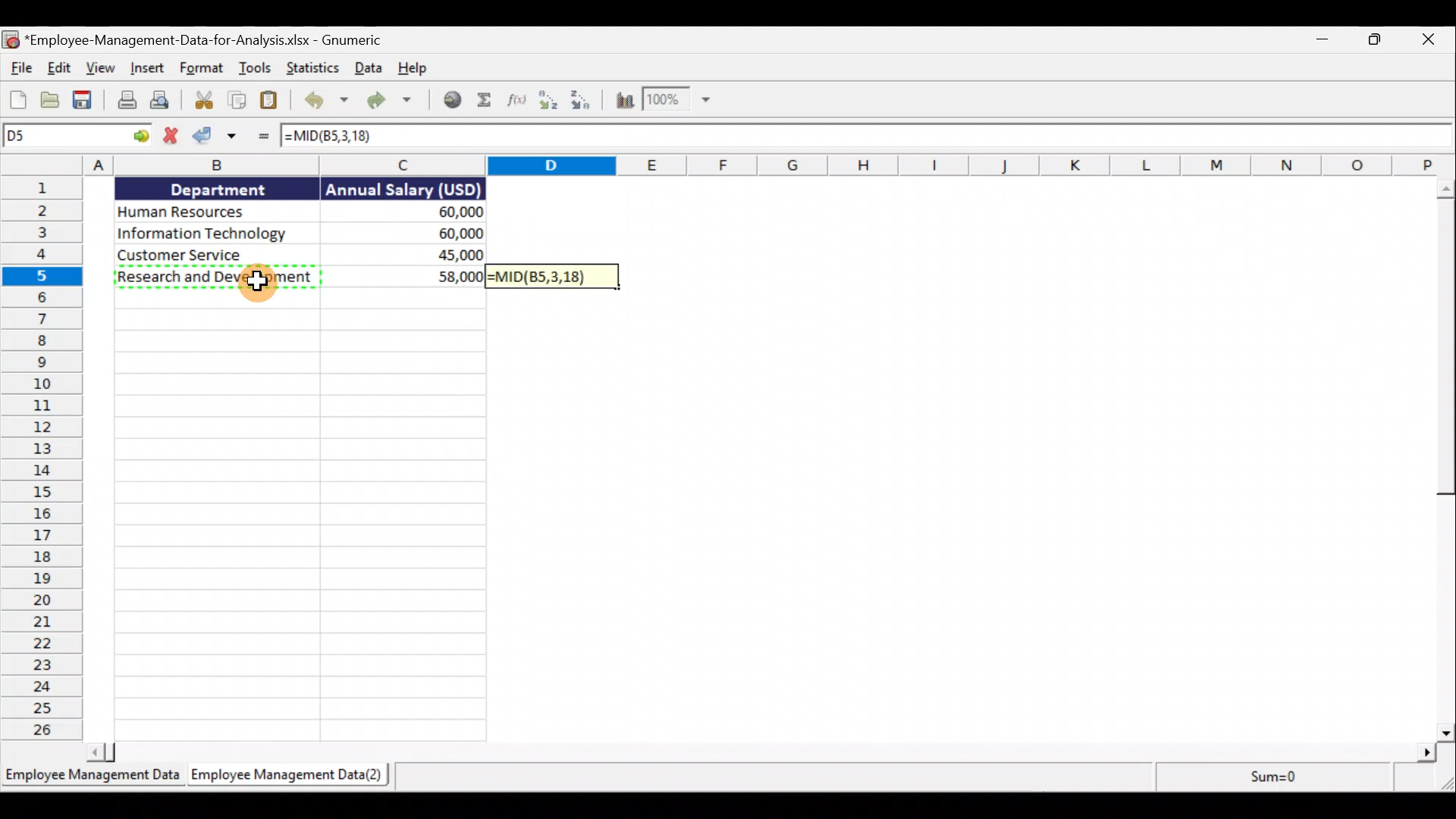  I want to click on Columns, so click(731, 166).